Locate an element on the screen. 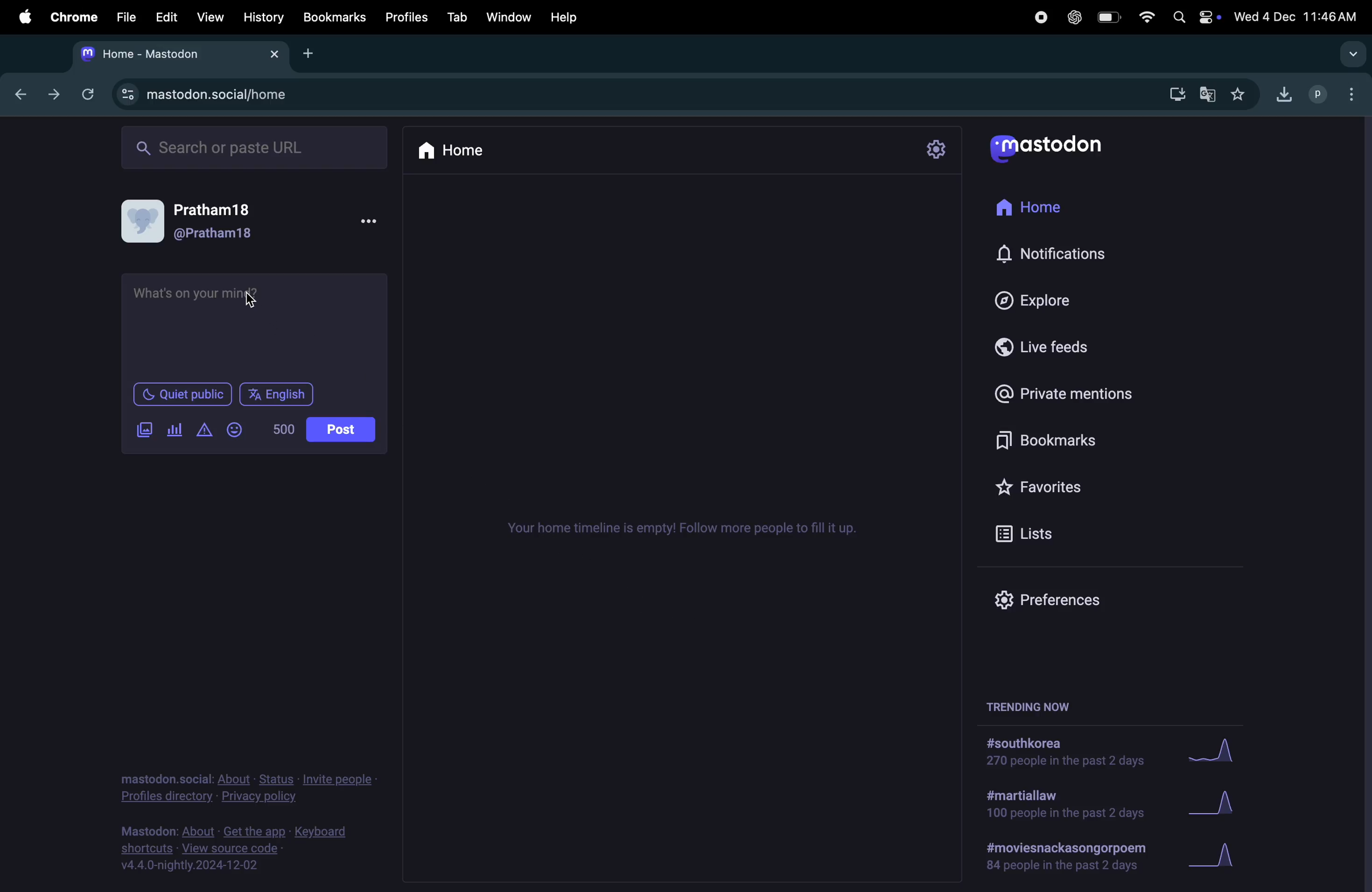 This screenshot has width=1372, height=892. preferences is located at coordinates (1046, 602).